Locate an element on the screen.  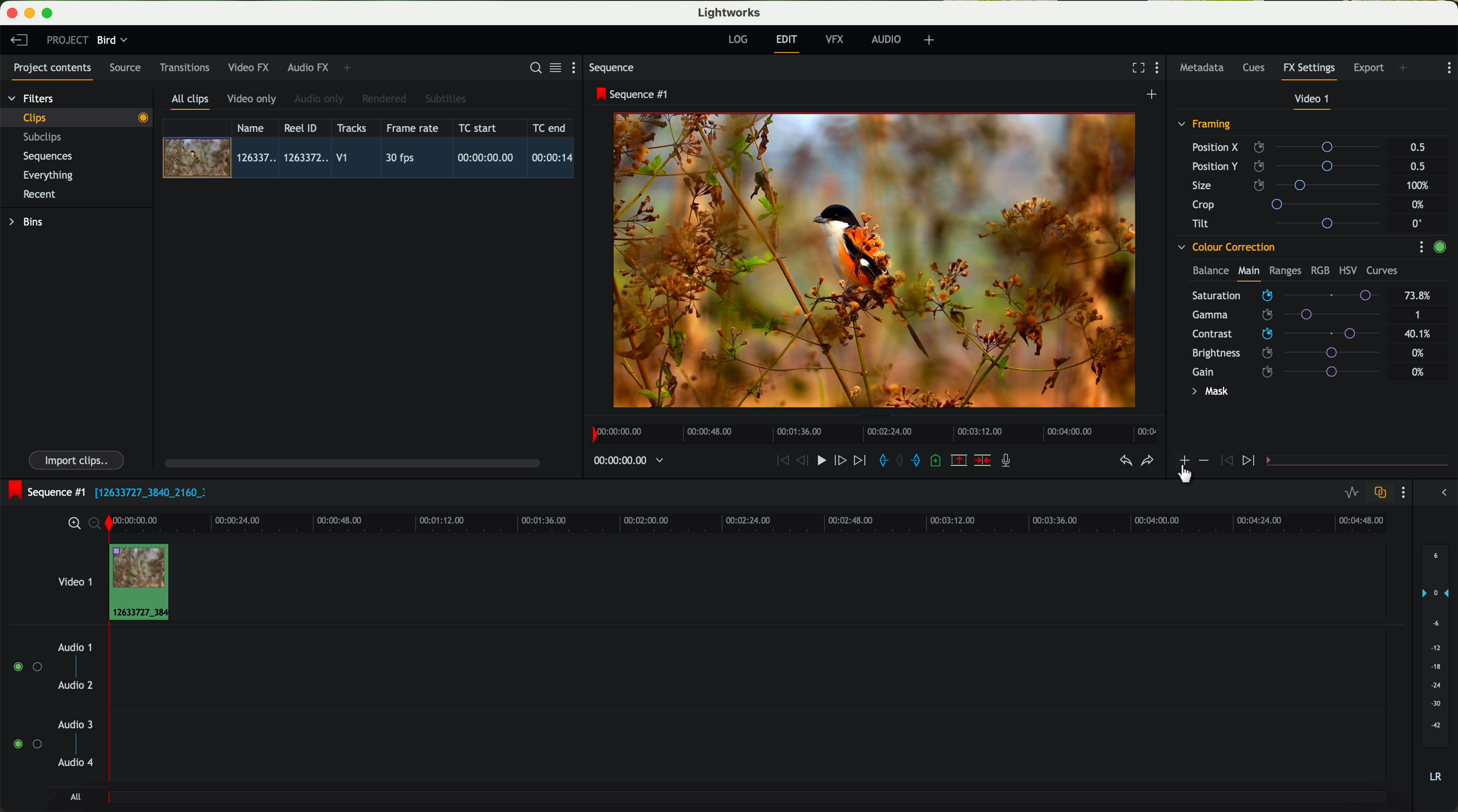
source is located at coordinates (125, 68).